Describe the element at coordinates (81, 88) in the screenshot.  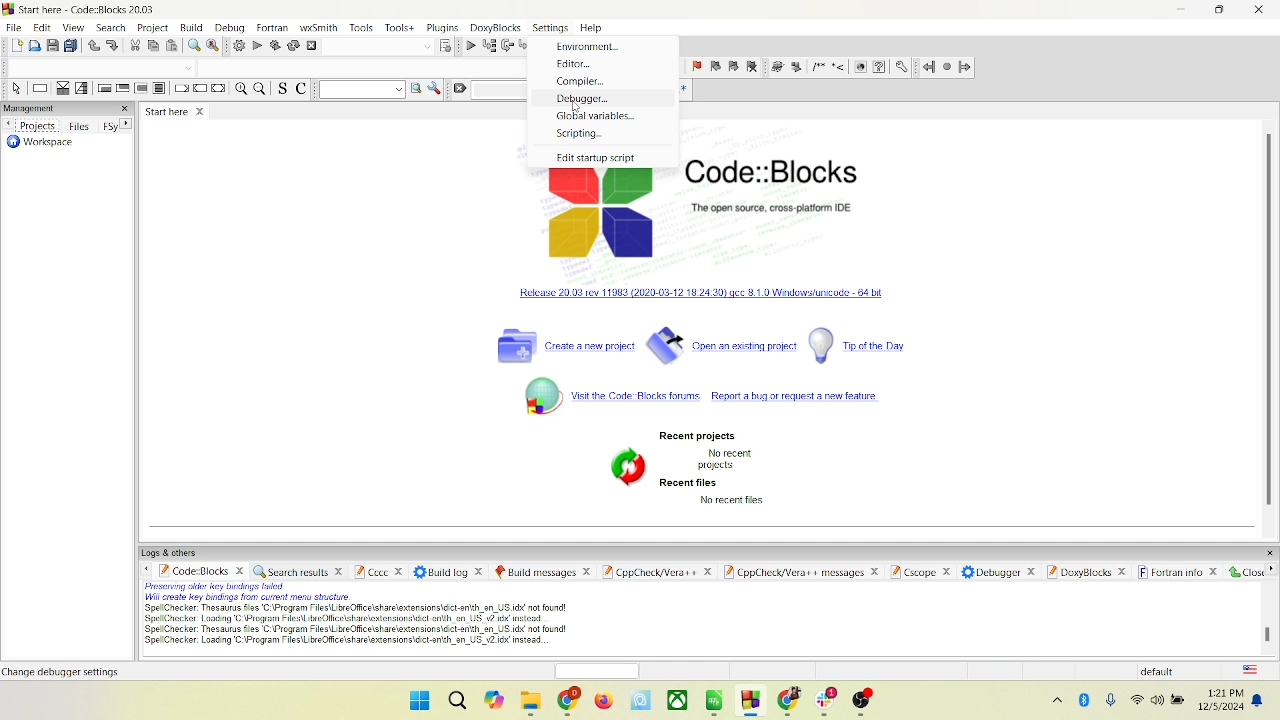
I see `selection` at that location.